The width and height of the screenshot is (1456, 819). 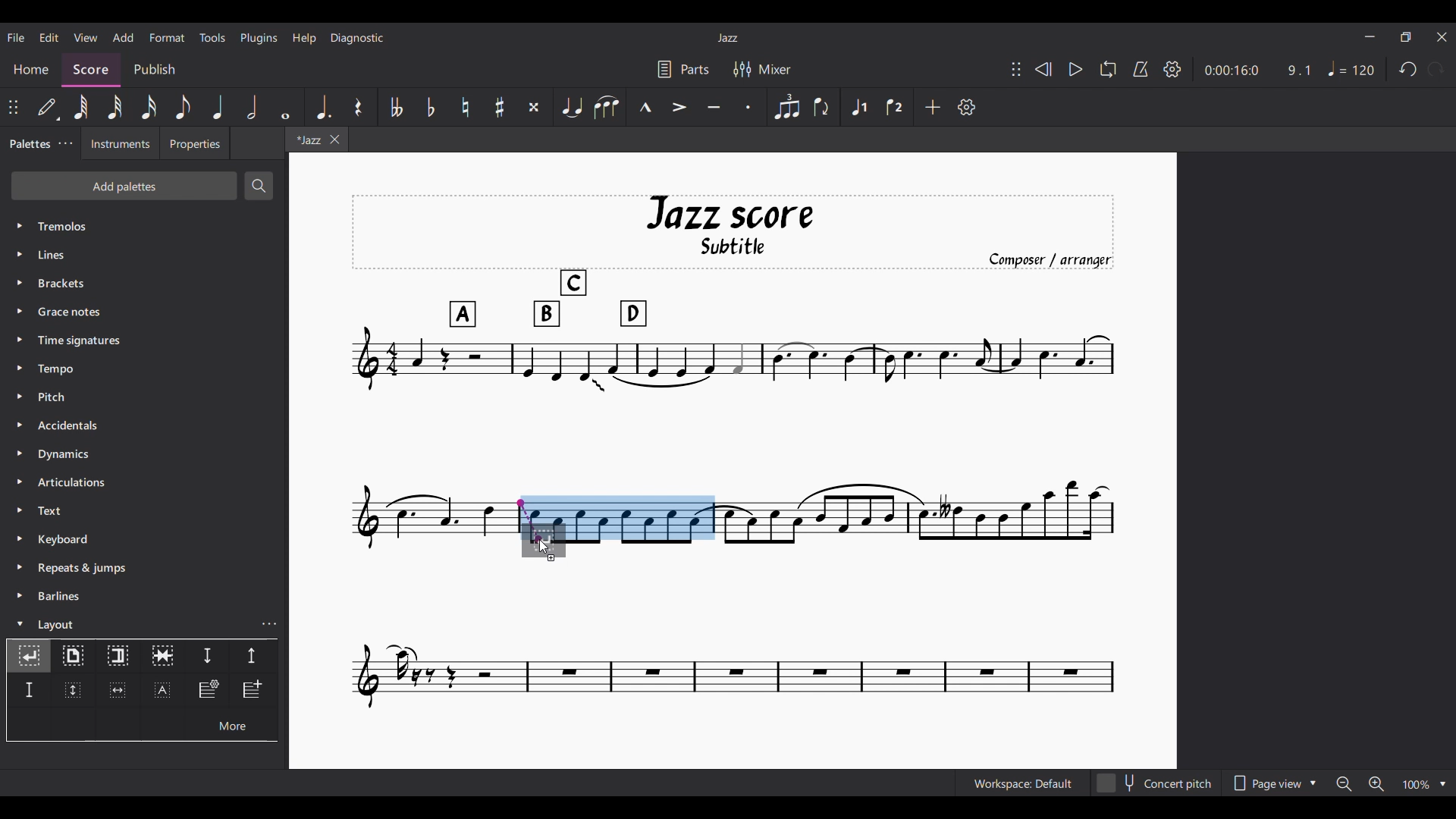 I want to click on Section break, so click(x=118, y=657).